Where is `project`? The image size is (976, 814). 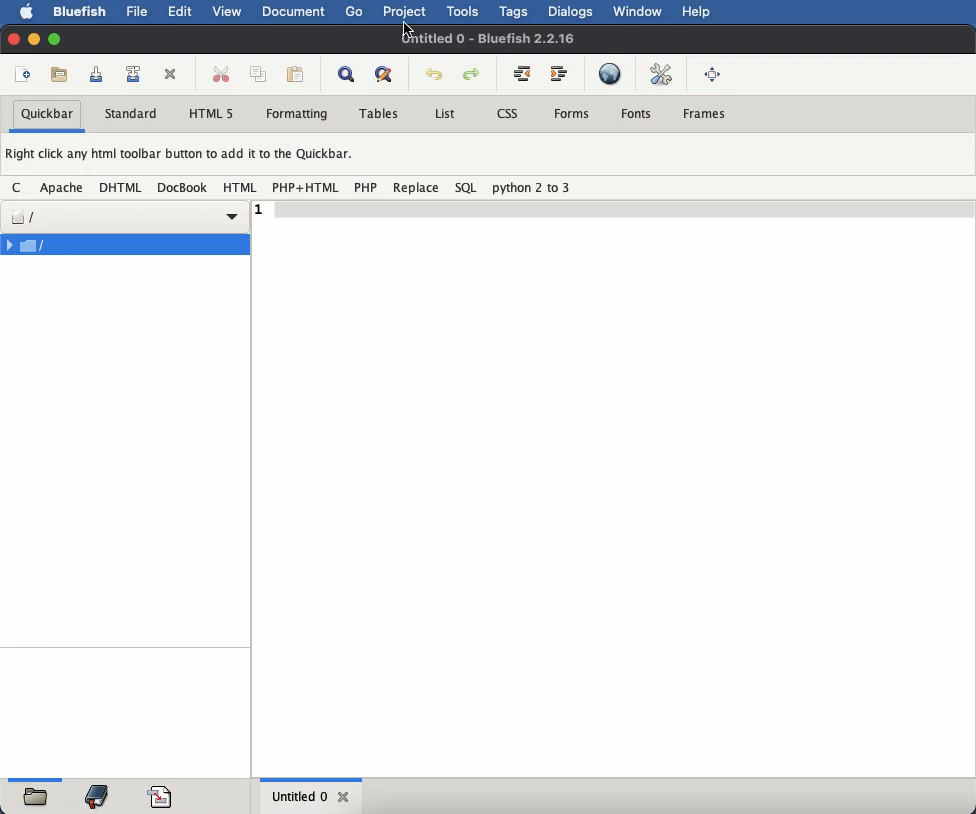 project is located at coordinates (406, 13).